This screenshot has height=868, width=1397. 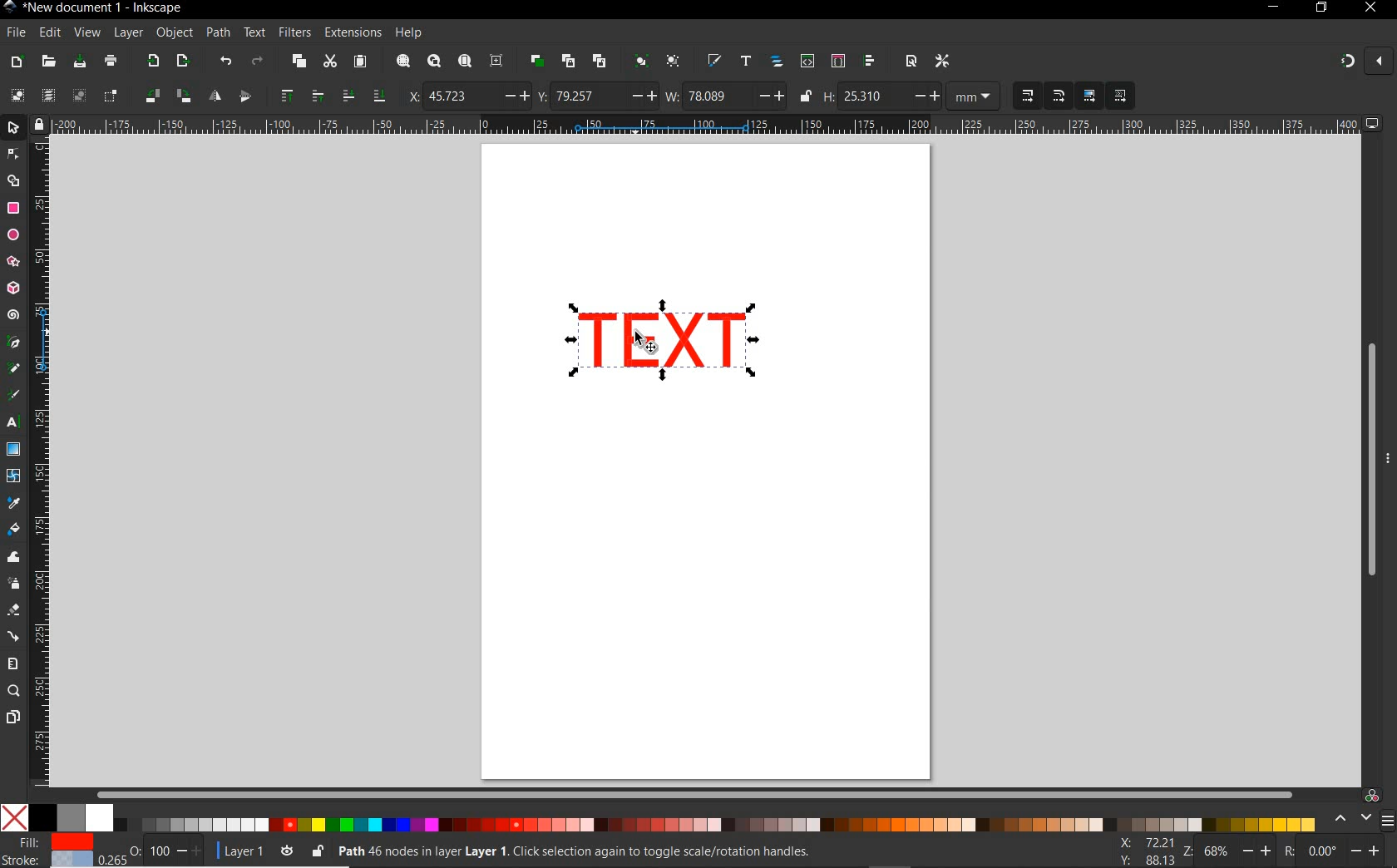 What do you see at coordinates (13, 369) in the screenshot?
I see `PENCIL TOOL` at bounding box center [13, 369].